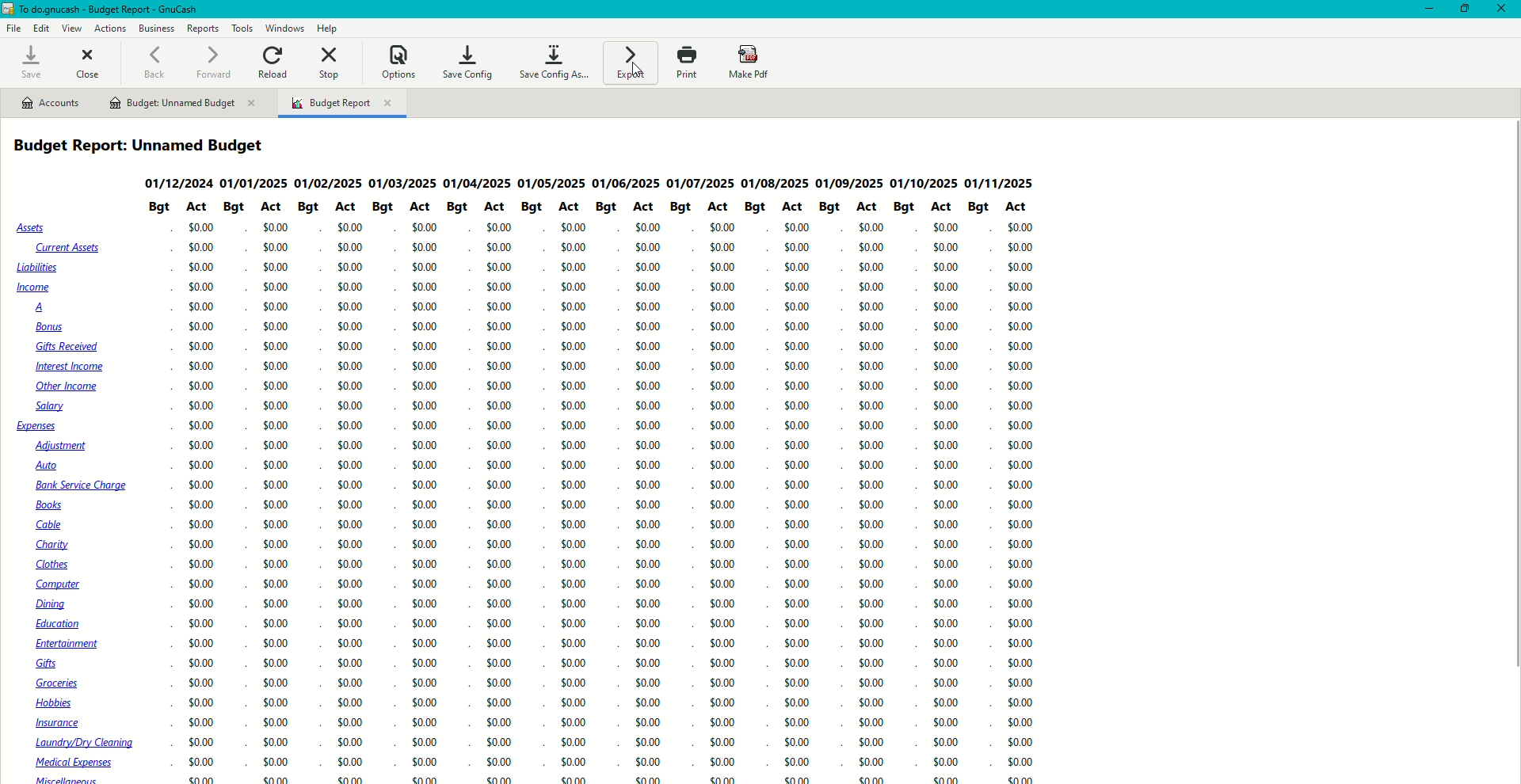 Image resolution: width=1521 pixels, height=784 pixels. Describe the element at coordinates (352, 702) in the screenshot. I see `$0.00` at that location.